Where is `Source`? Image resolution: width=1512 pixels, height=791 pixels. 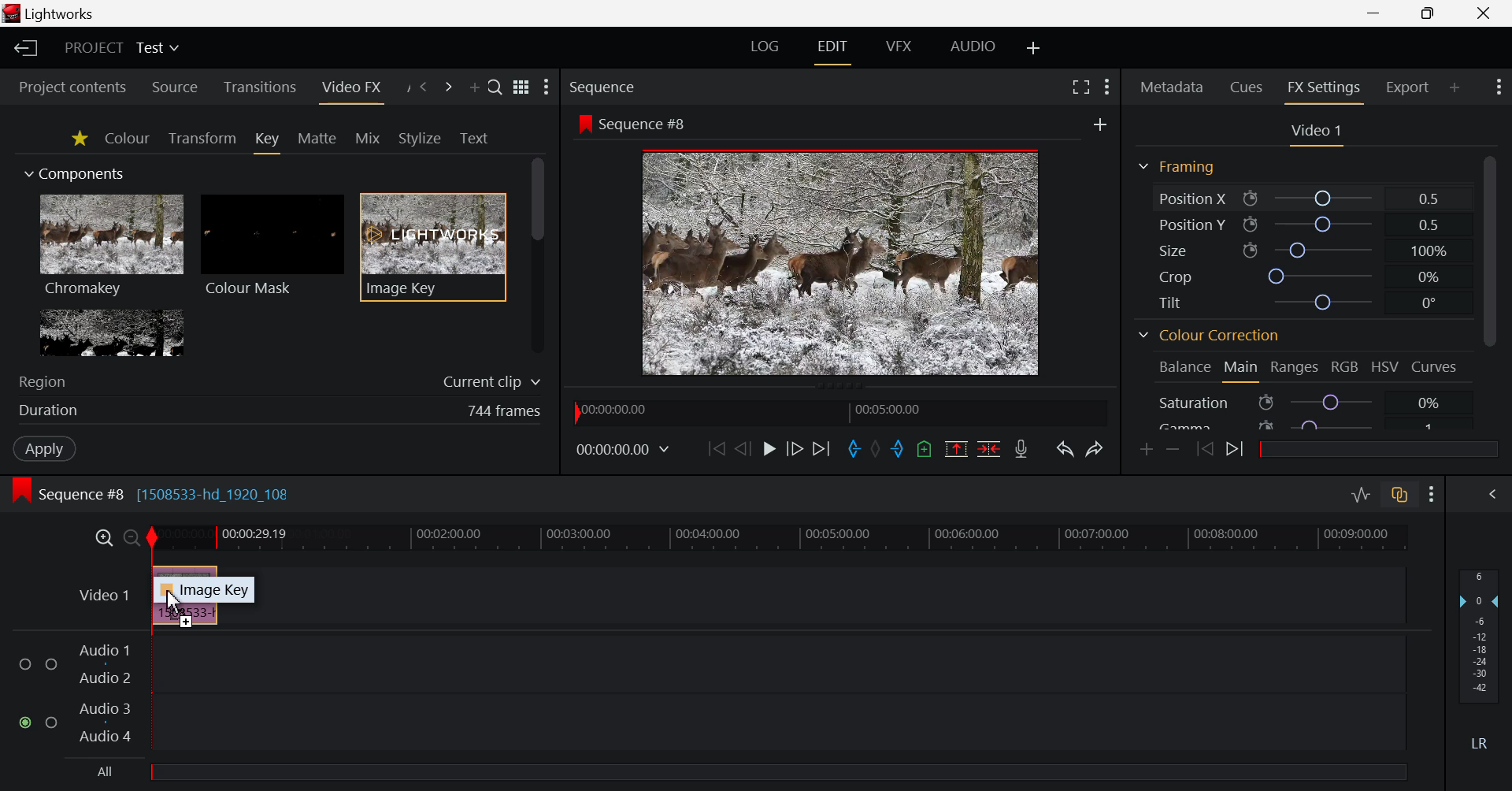
Source is located at coordinates (174, 84).